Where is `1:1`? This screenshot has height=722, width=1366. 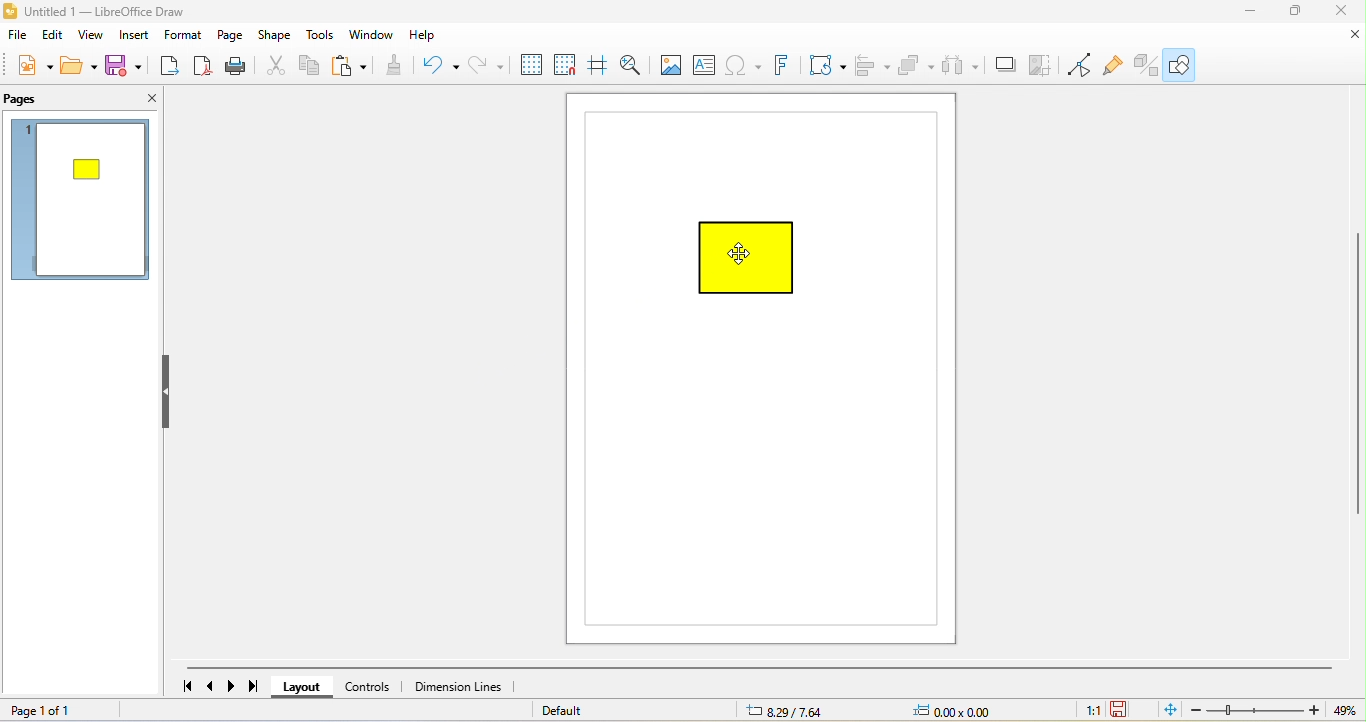
1:1 is located at coordinates (1093, 712).